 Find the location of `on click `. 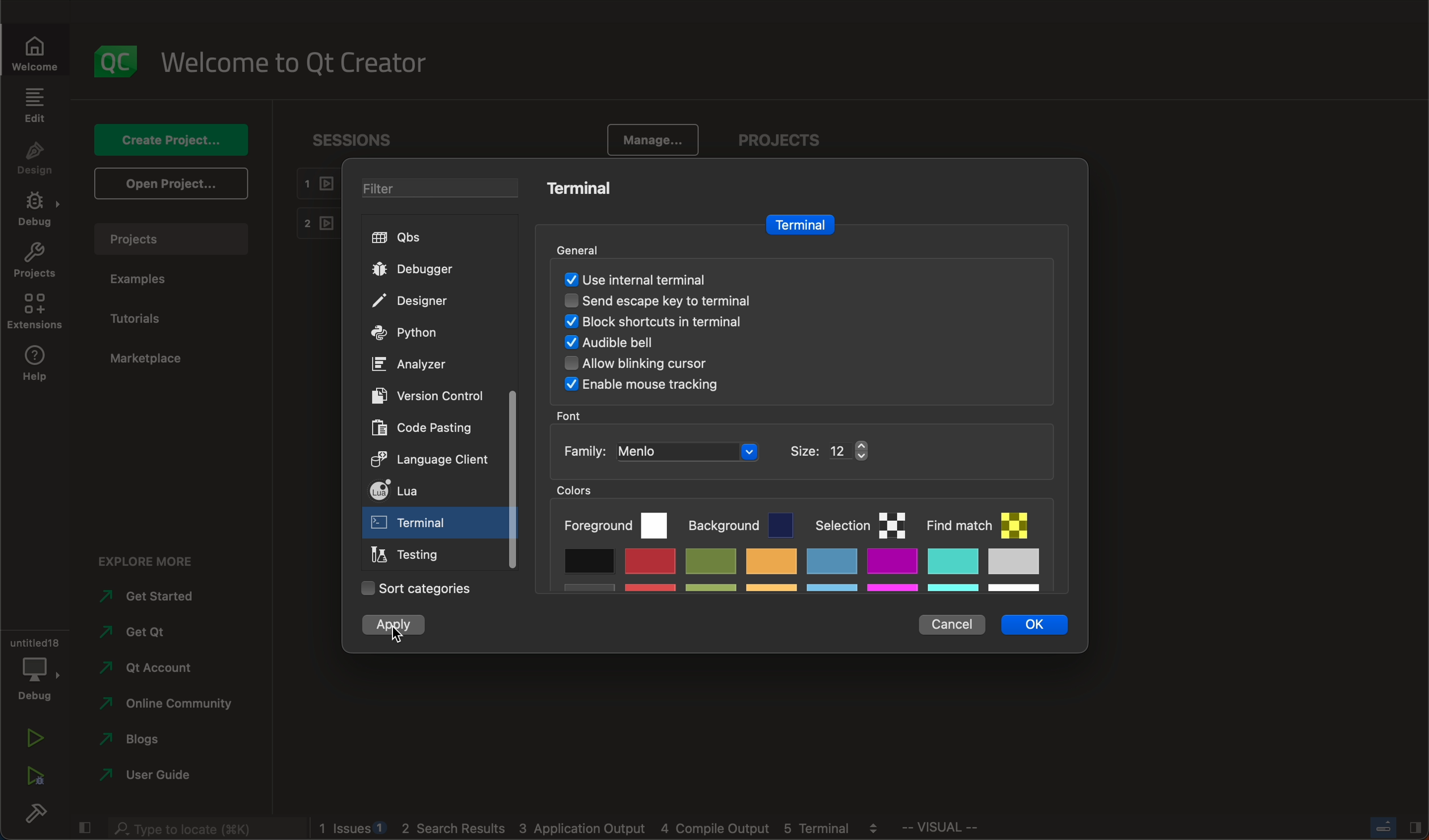

on click  is located at coordinates (414, 526).